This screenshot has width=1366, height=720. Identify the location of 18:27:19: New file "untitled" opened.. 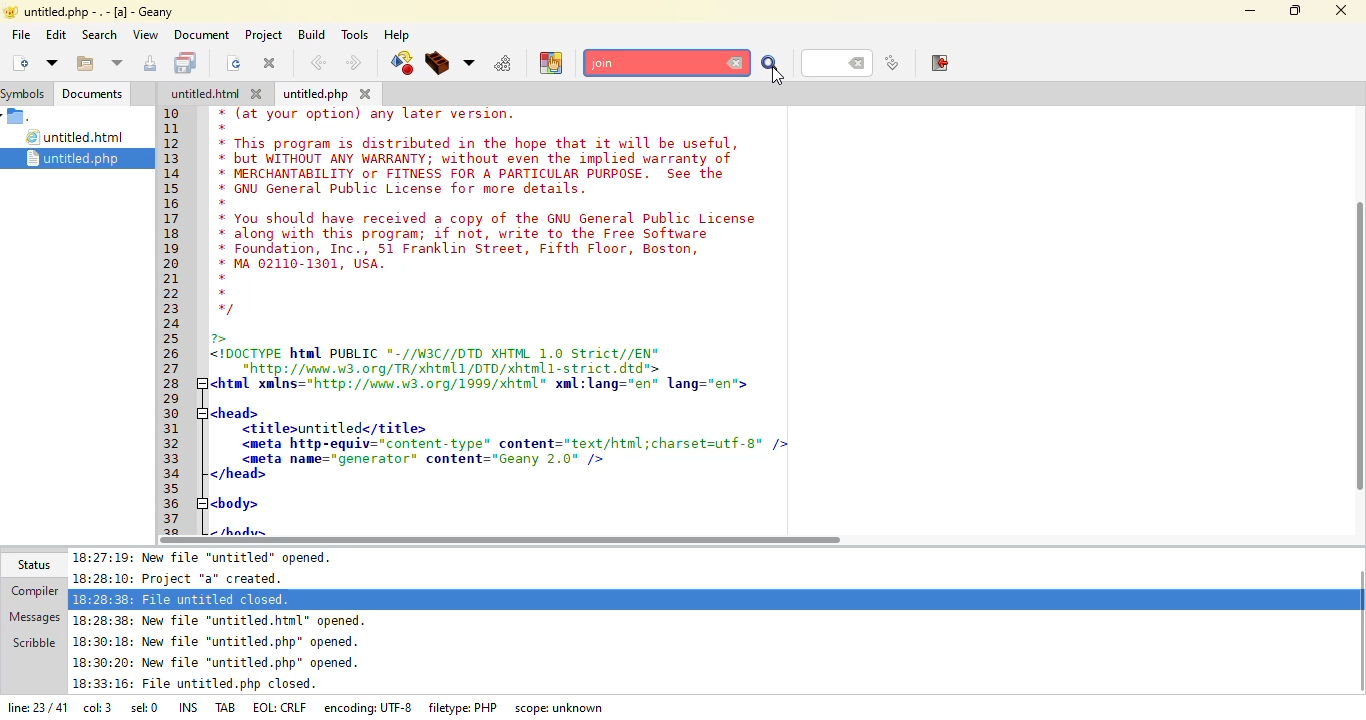
(210, 557).